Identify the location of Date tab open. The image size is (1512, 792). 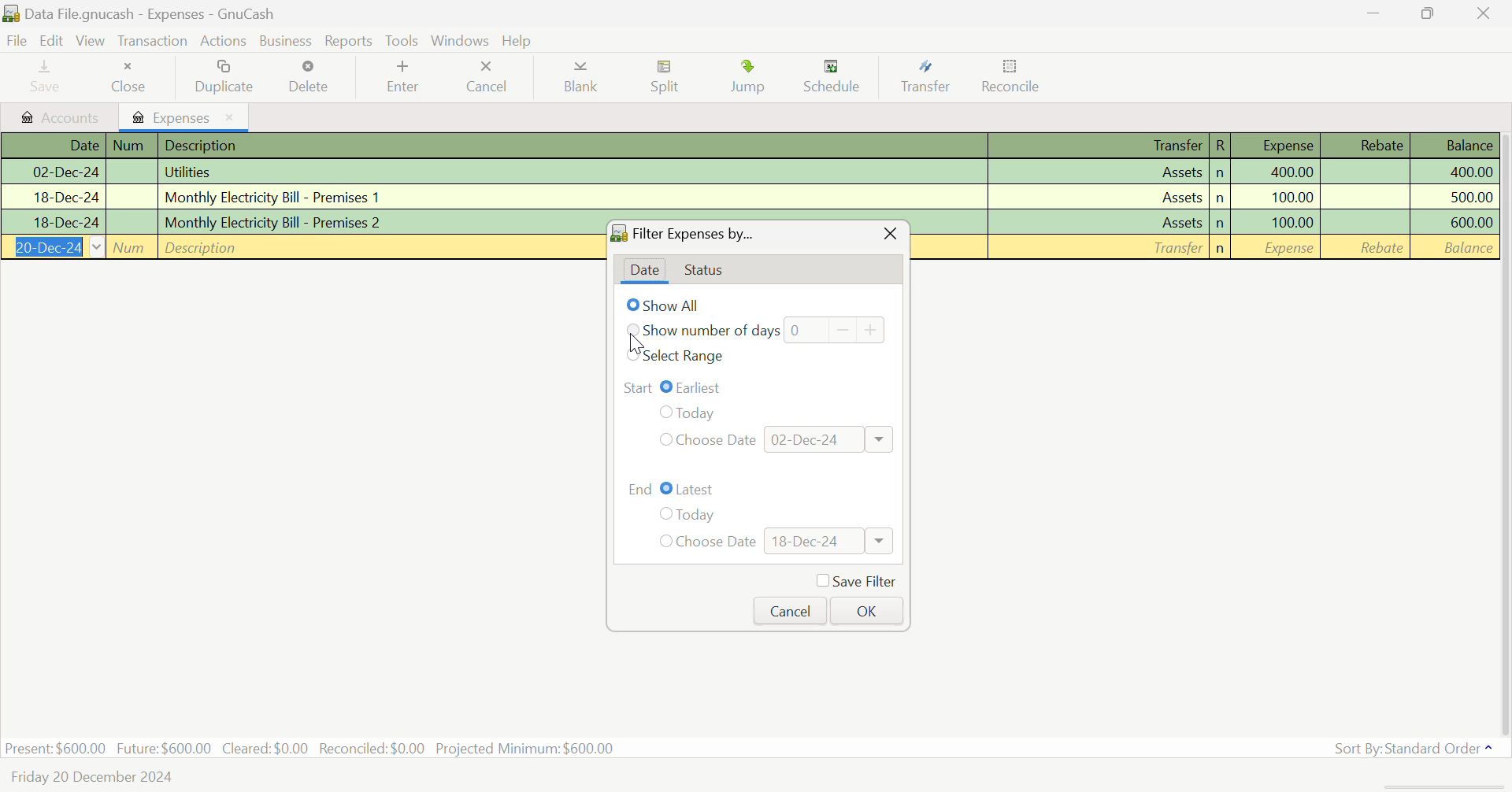
(644, 272).